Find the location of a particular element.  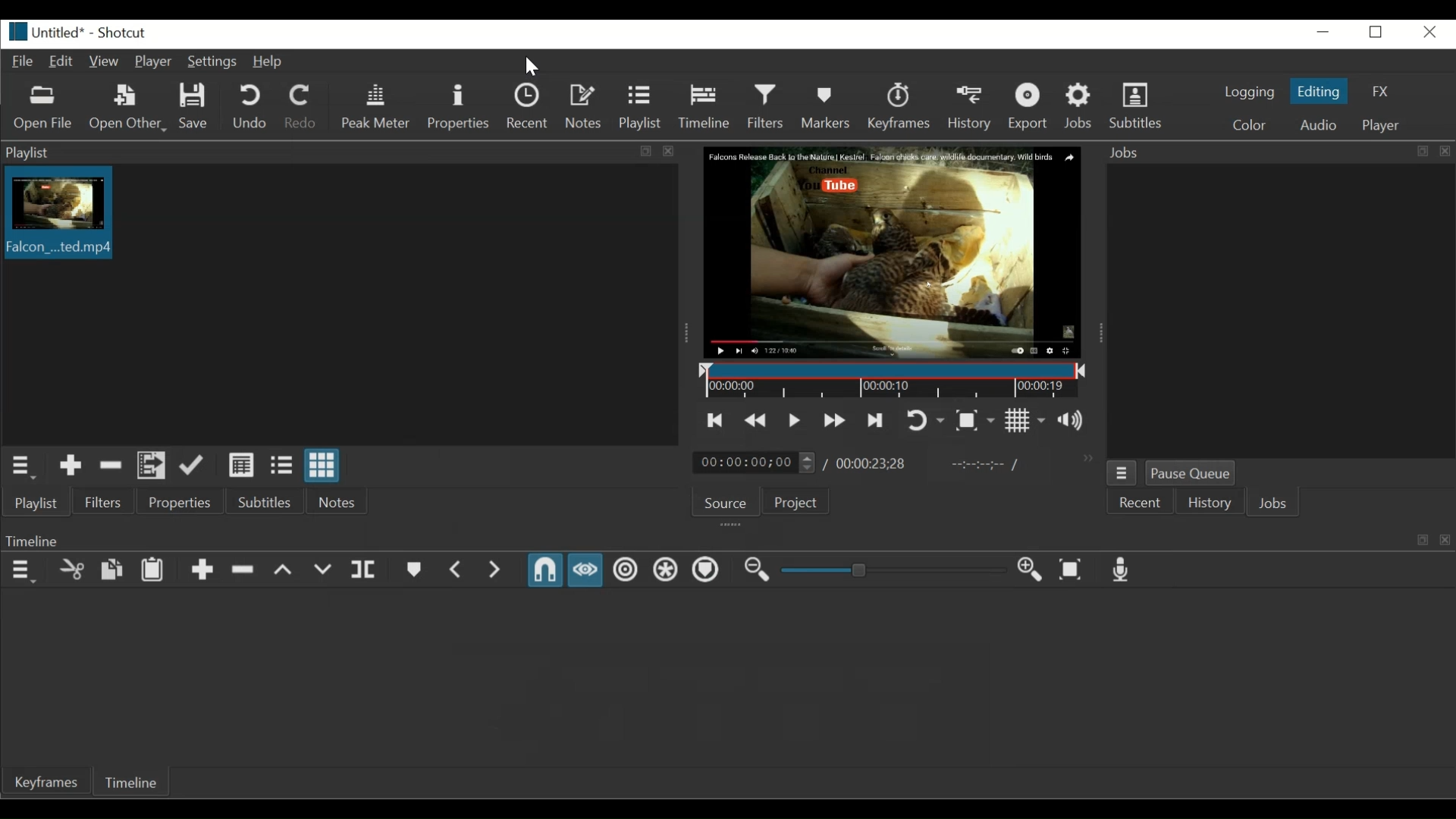

History is located at coordinates (971, 109).